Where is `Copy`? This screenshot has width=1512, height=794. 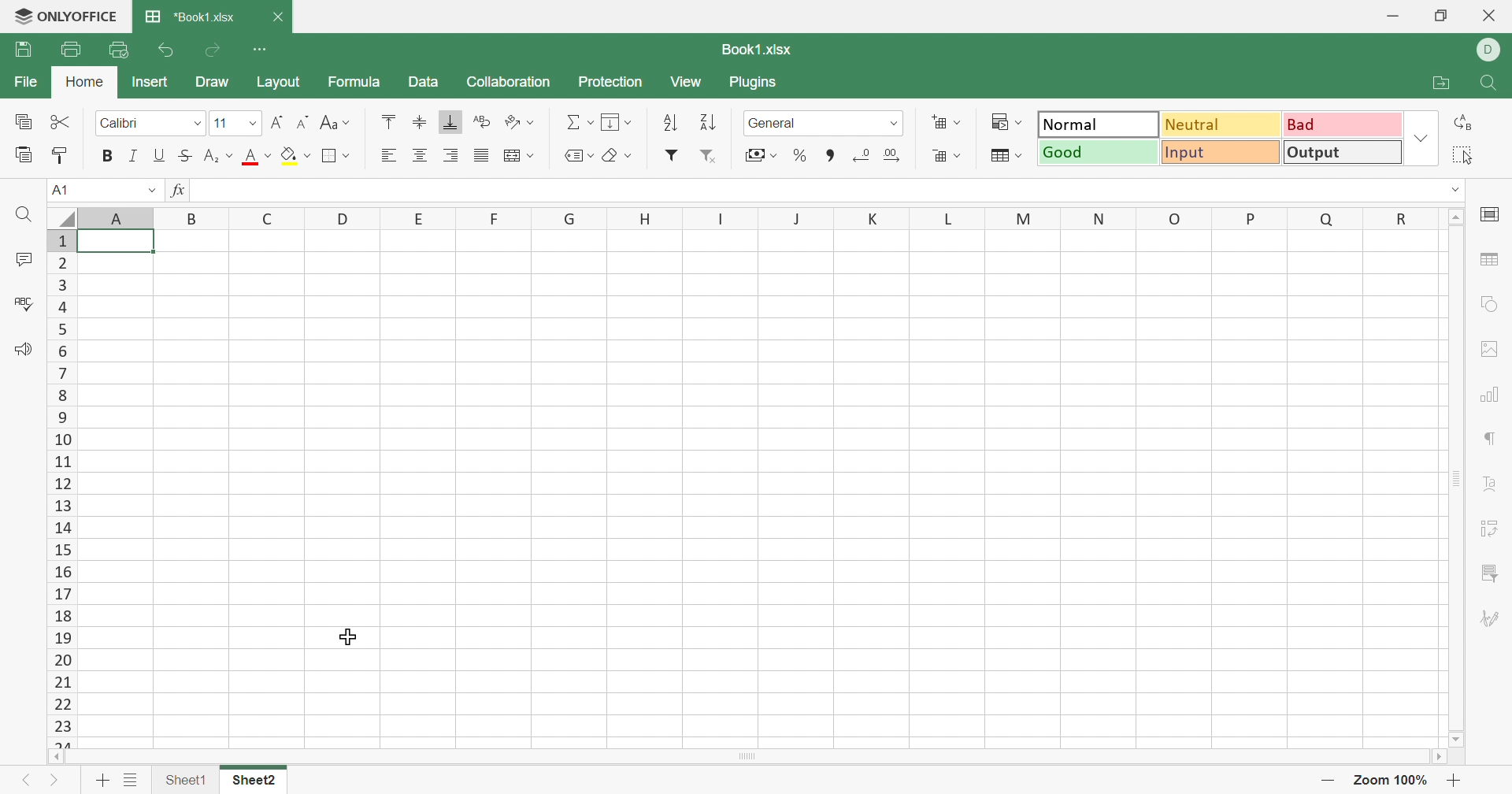
Copy is located at coordinates (22, 121).